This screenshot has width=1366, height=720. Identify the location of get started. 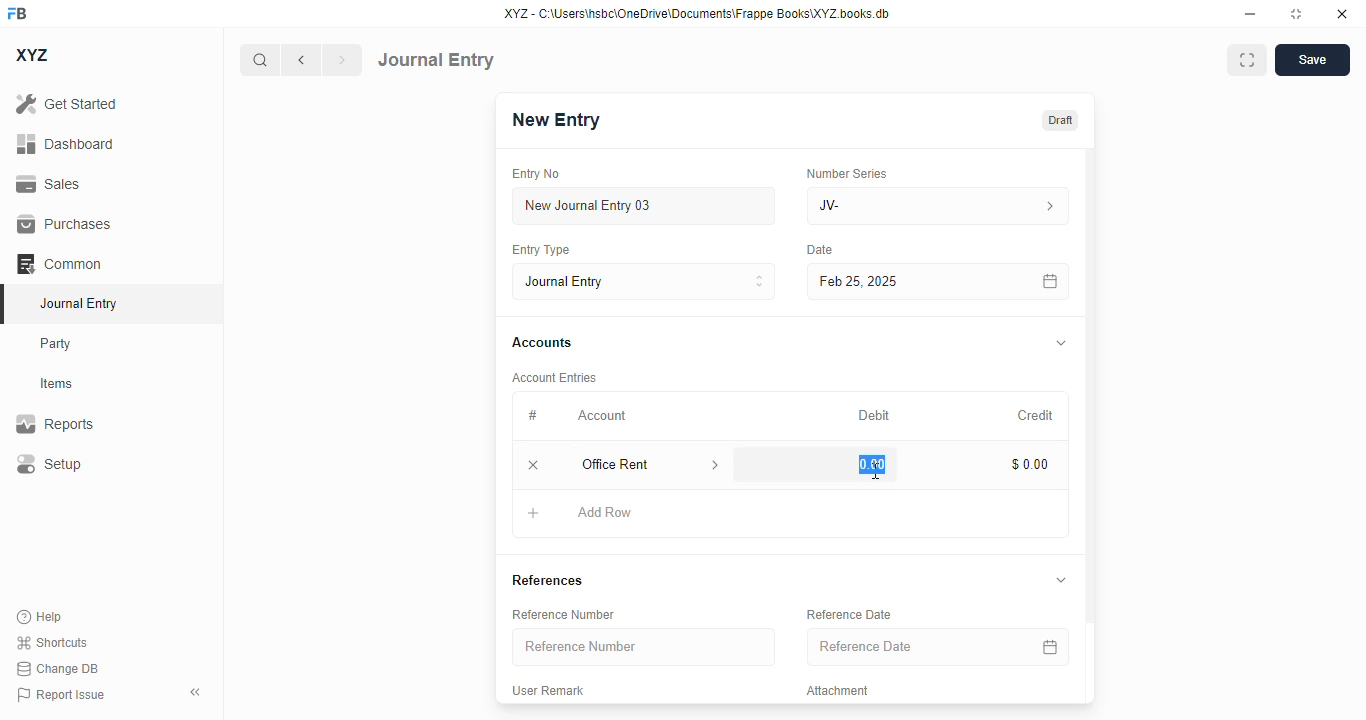
(66, 103).